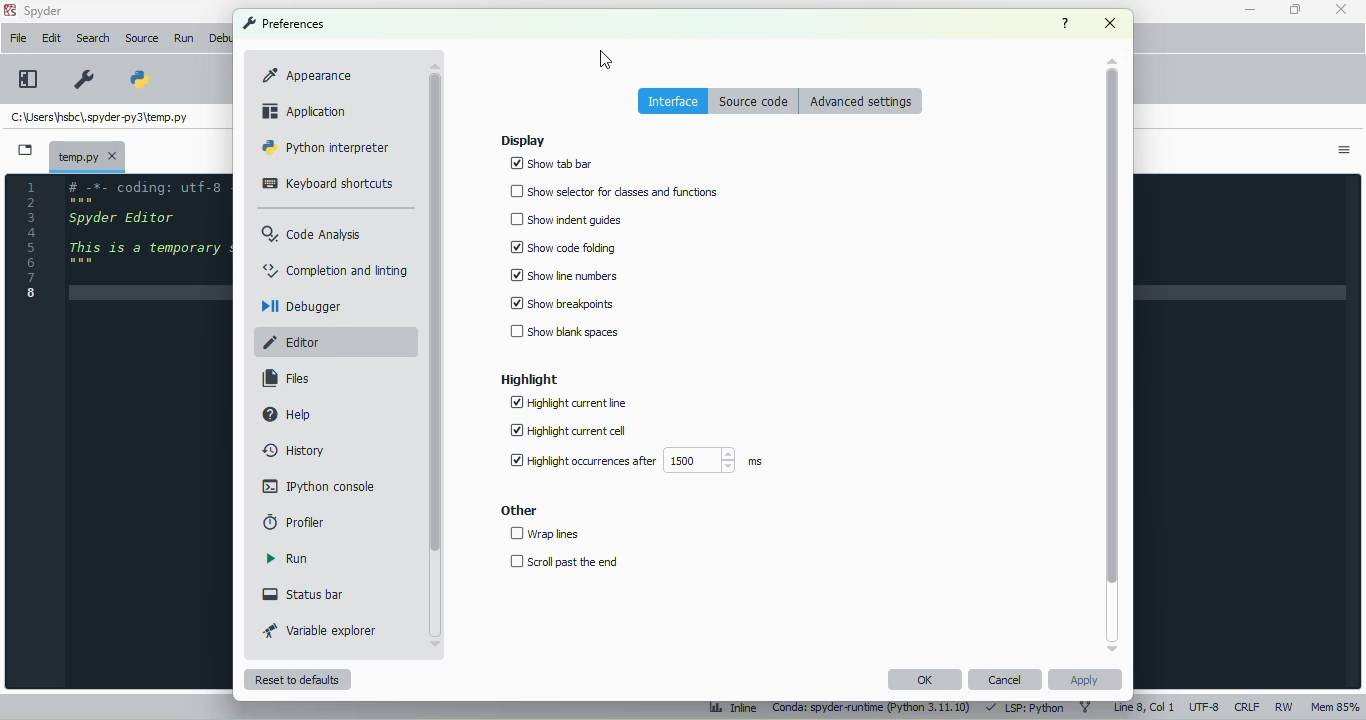  What do you see at coordinates (435, 354) in the screenshot?
I see `vertical scroll bar` at bounding box center [435, 354].